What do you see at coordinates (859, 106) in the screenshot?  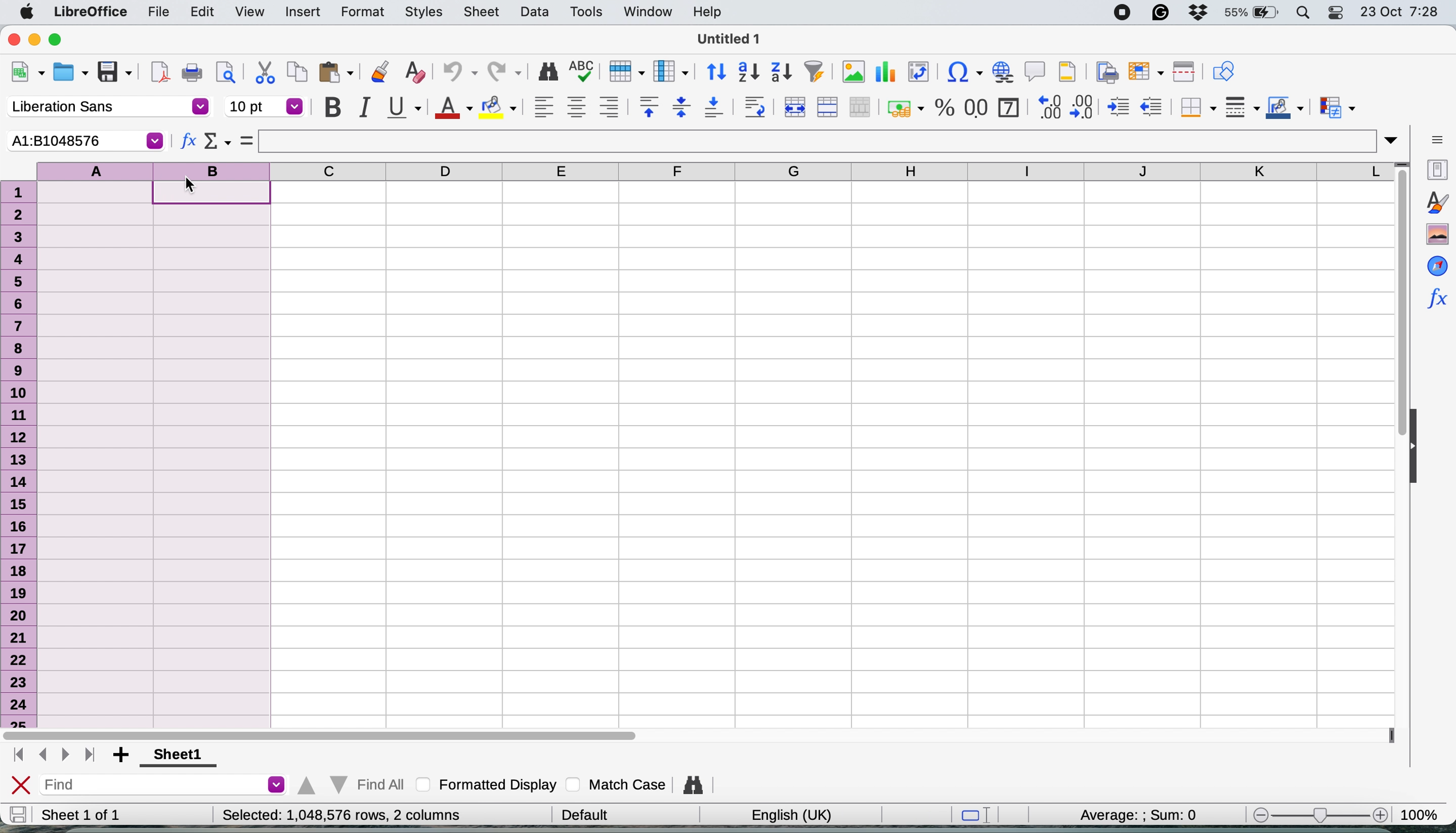 I see `unmerge` at bounding box center [859, 106].